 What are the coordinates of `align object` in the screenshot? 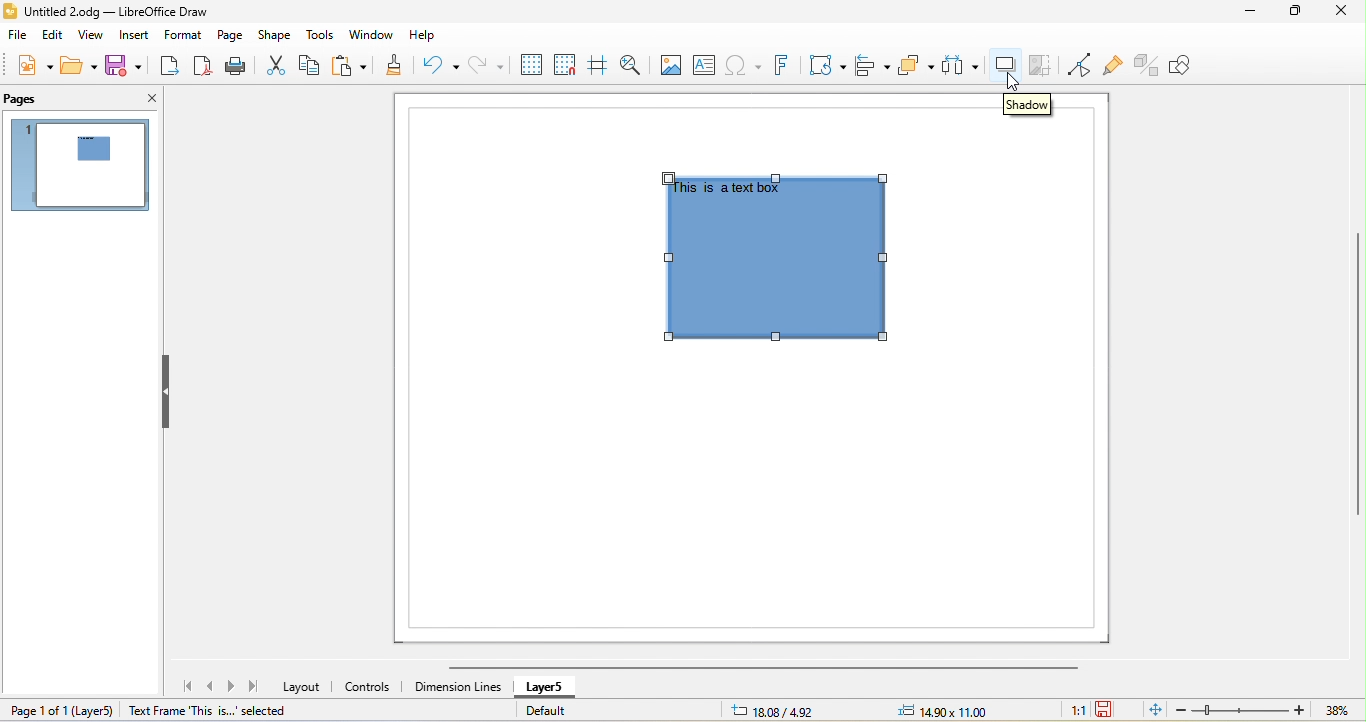 It's located at (874, 67).